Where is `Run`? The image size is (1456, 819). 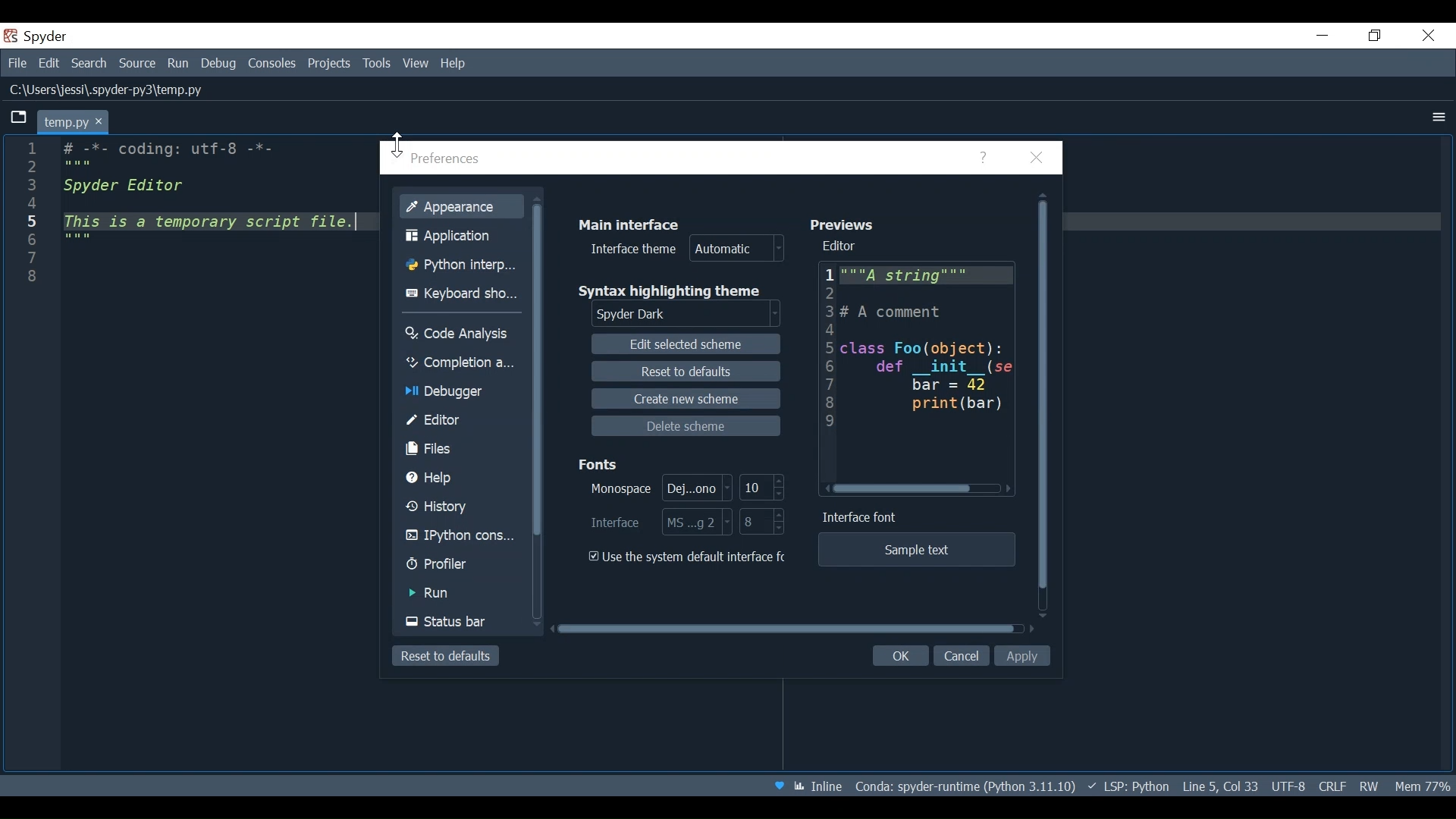
Run is located at coordinates (461, 593).